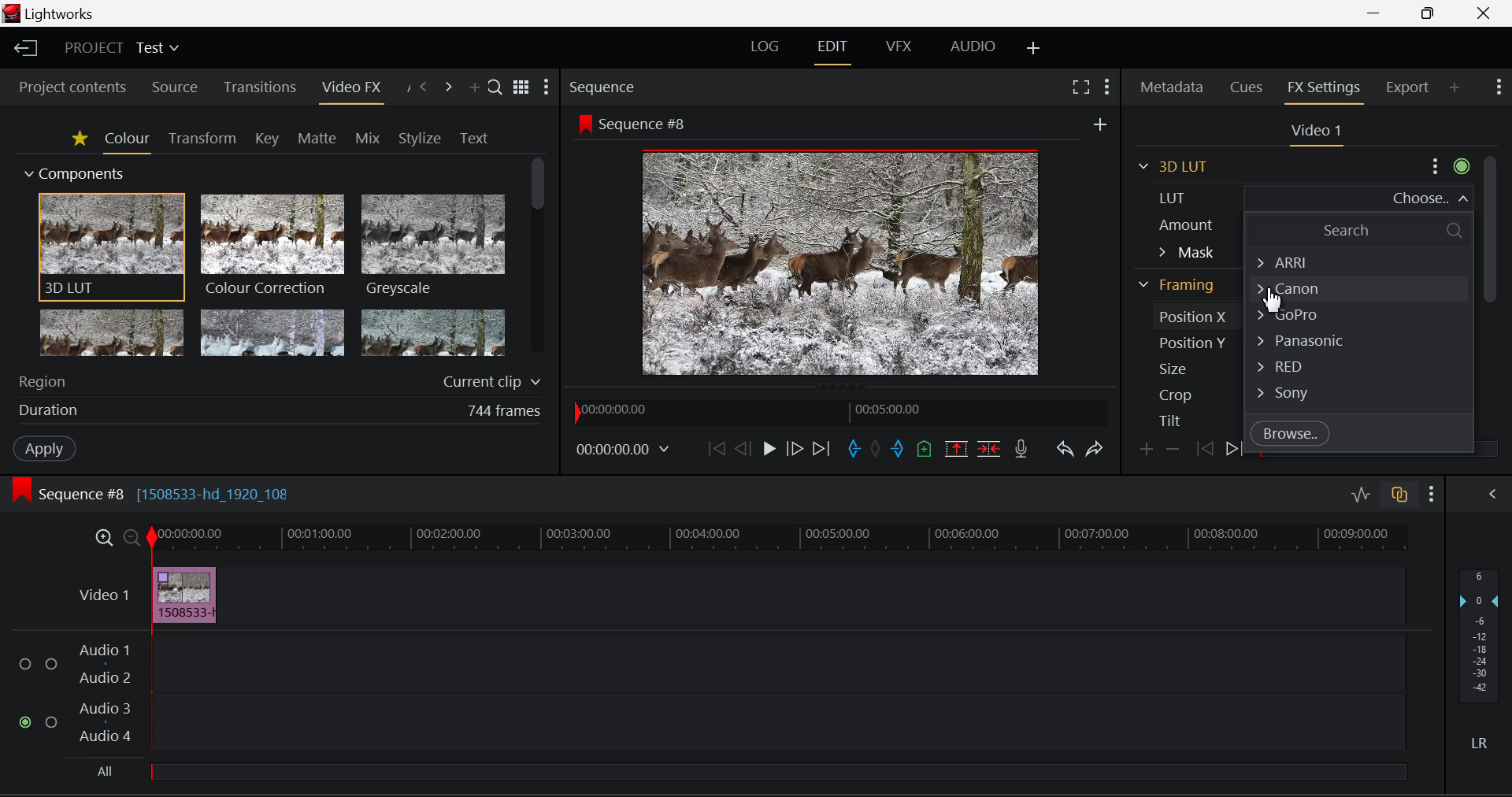 This screenshot has width=1512, height=797. What do you see at coordinates (1190, 343) in the screenshot?
I see `Position Y` at bounding box center [1190, 343].